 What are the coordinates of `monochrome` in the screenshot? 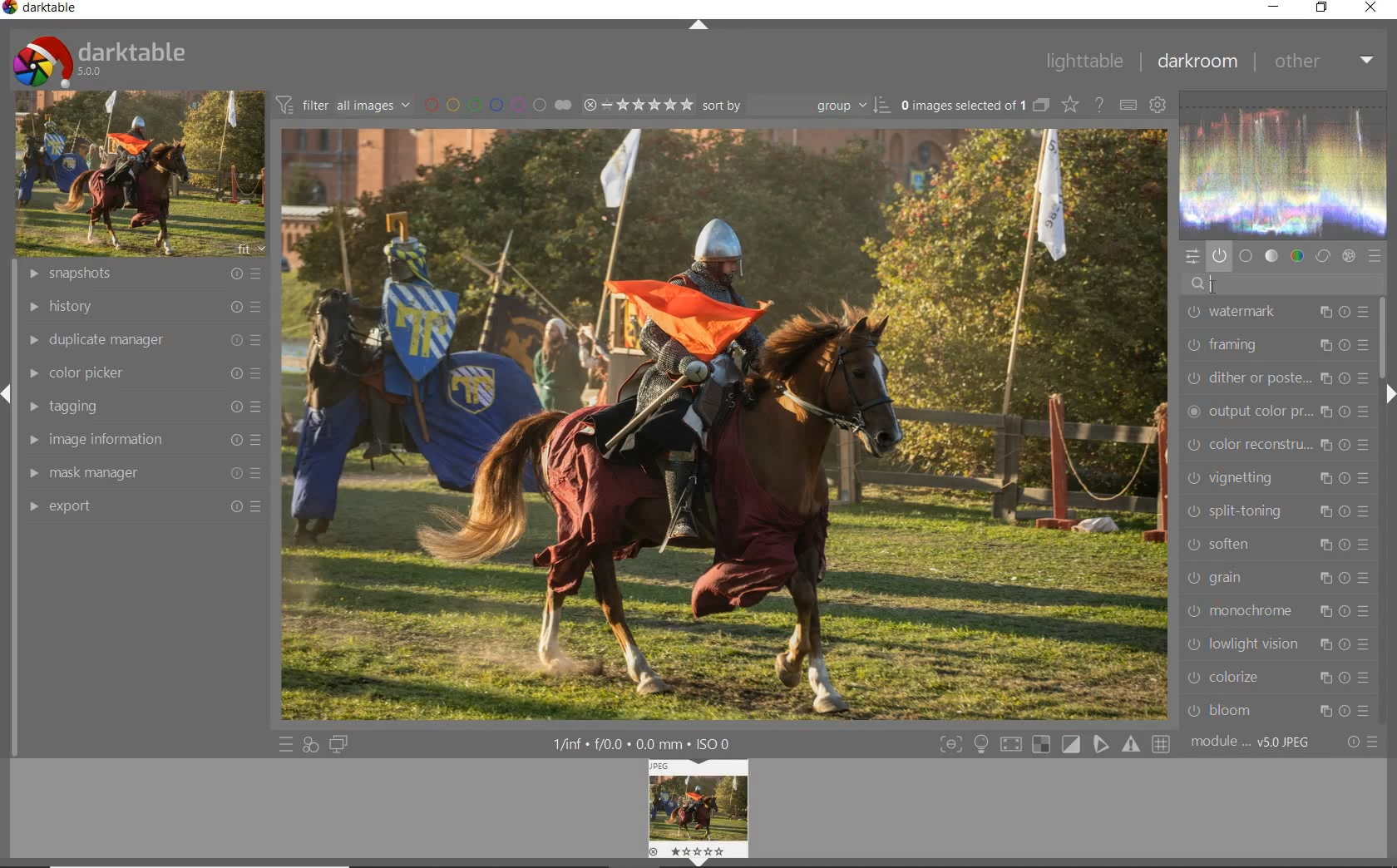 It's located at (1275, 613).